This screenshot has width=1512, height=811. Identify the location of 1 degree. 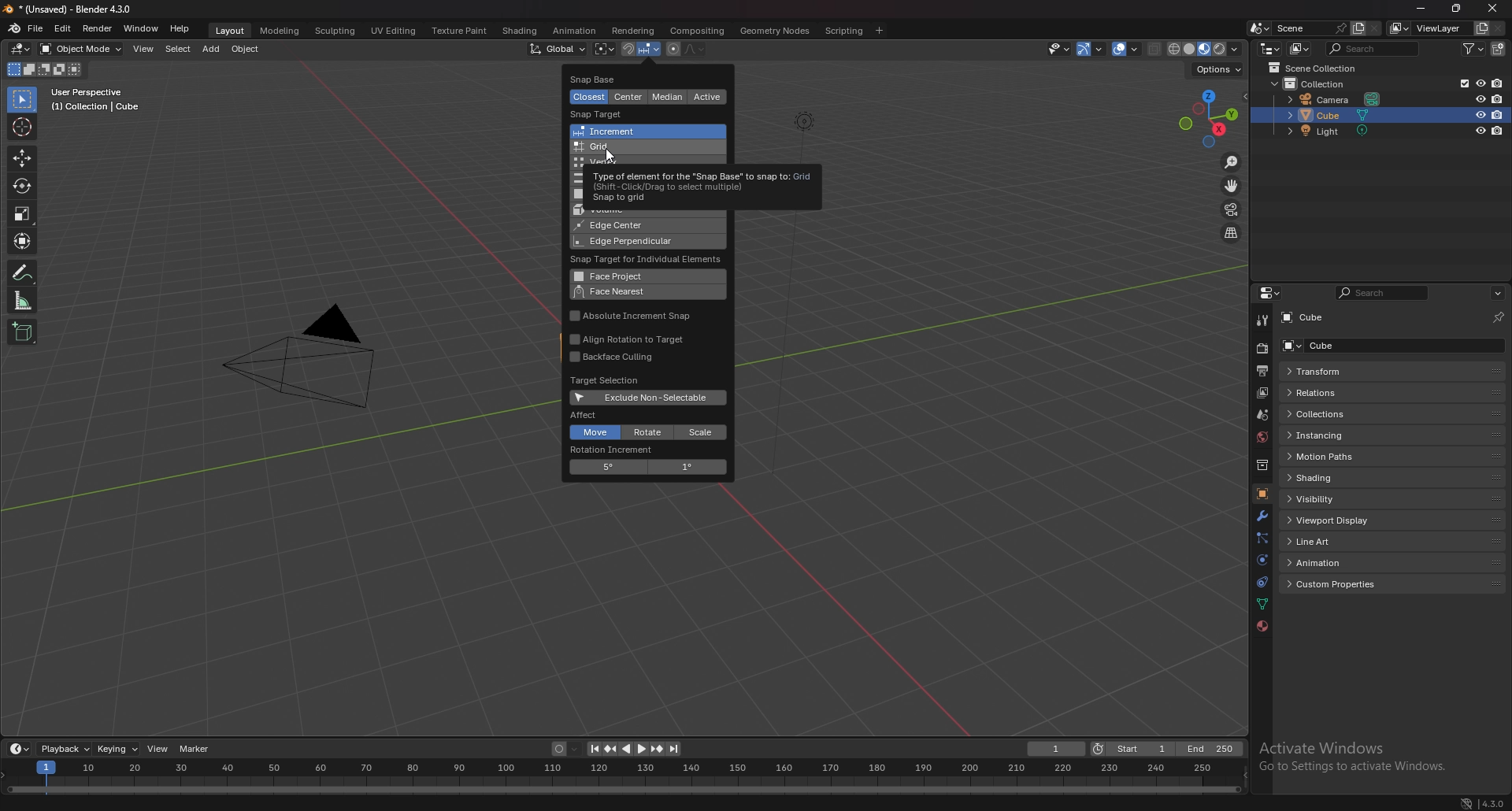
(687, 468).